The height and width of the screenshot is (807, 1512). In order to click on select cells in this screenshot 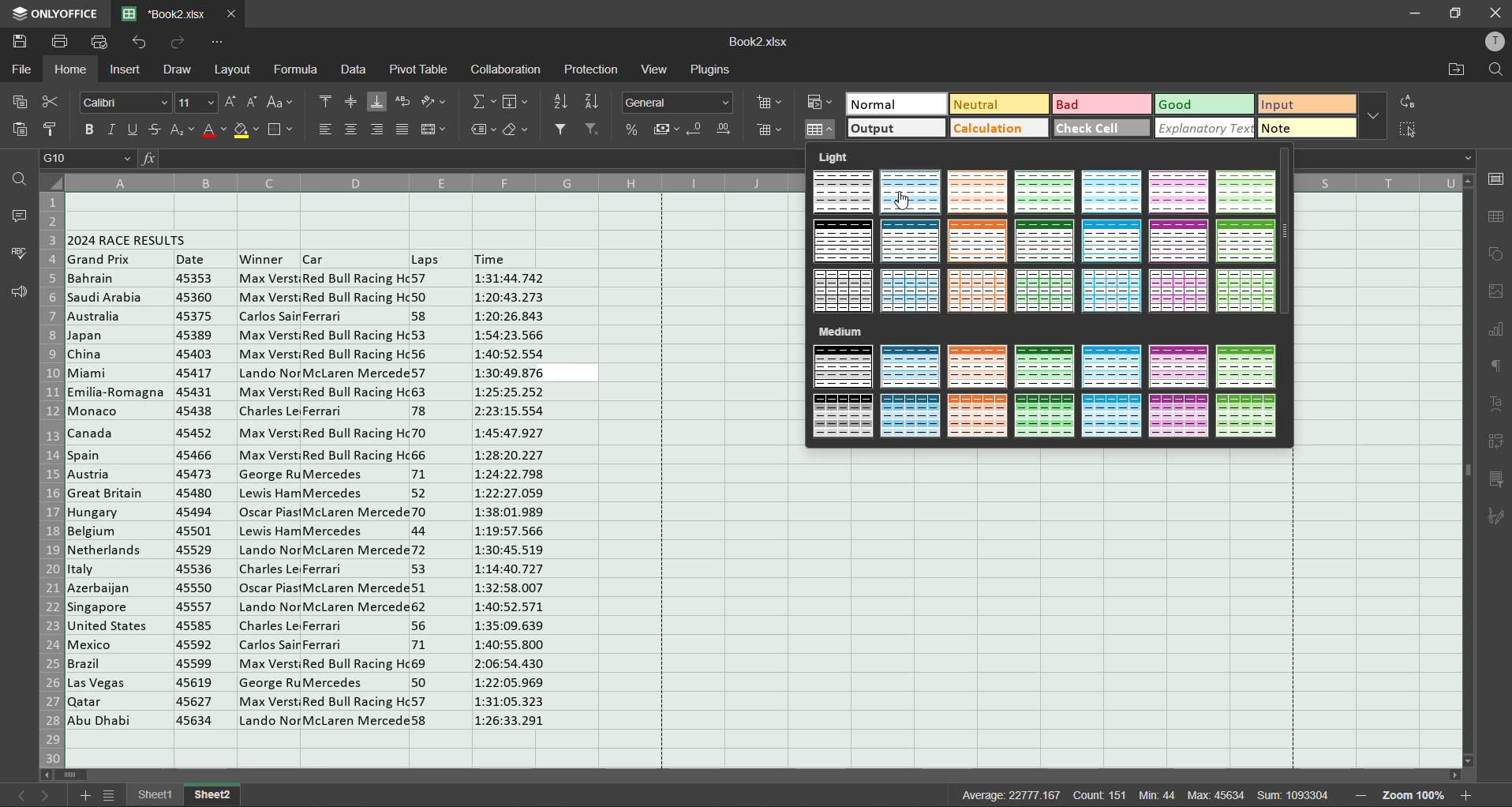, I will do `click(1408, 133)`.